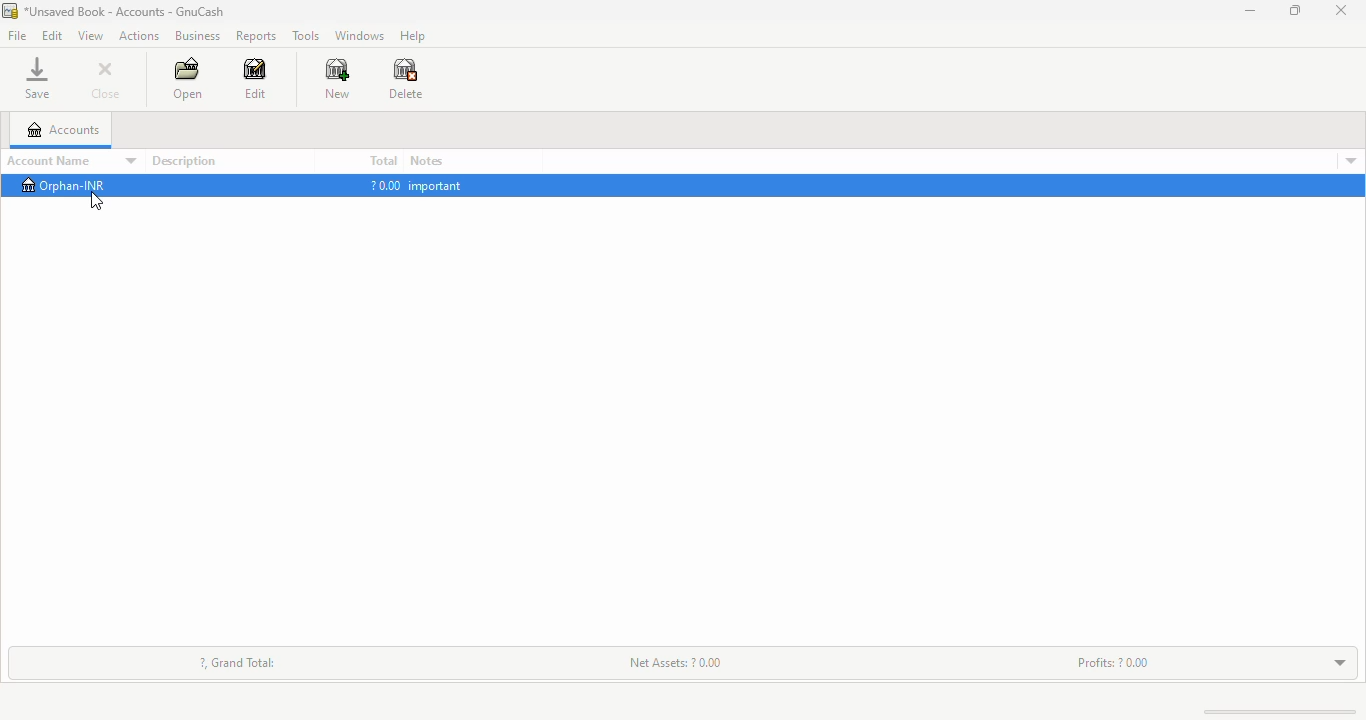 This screenshot has width=1366, height=720. Describe the element at coordinates (1340, 10) in the screenshot. I see `close` at that location.